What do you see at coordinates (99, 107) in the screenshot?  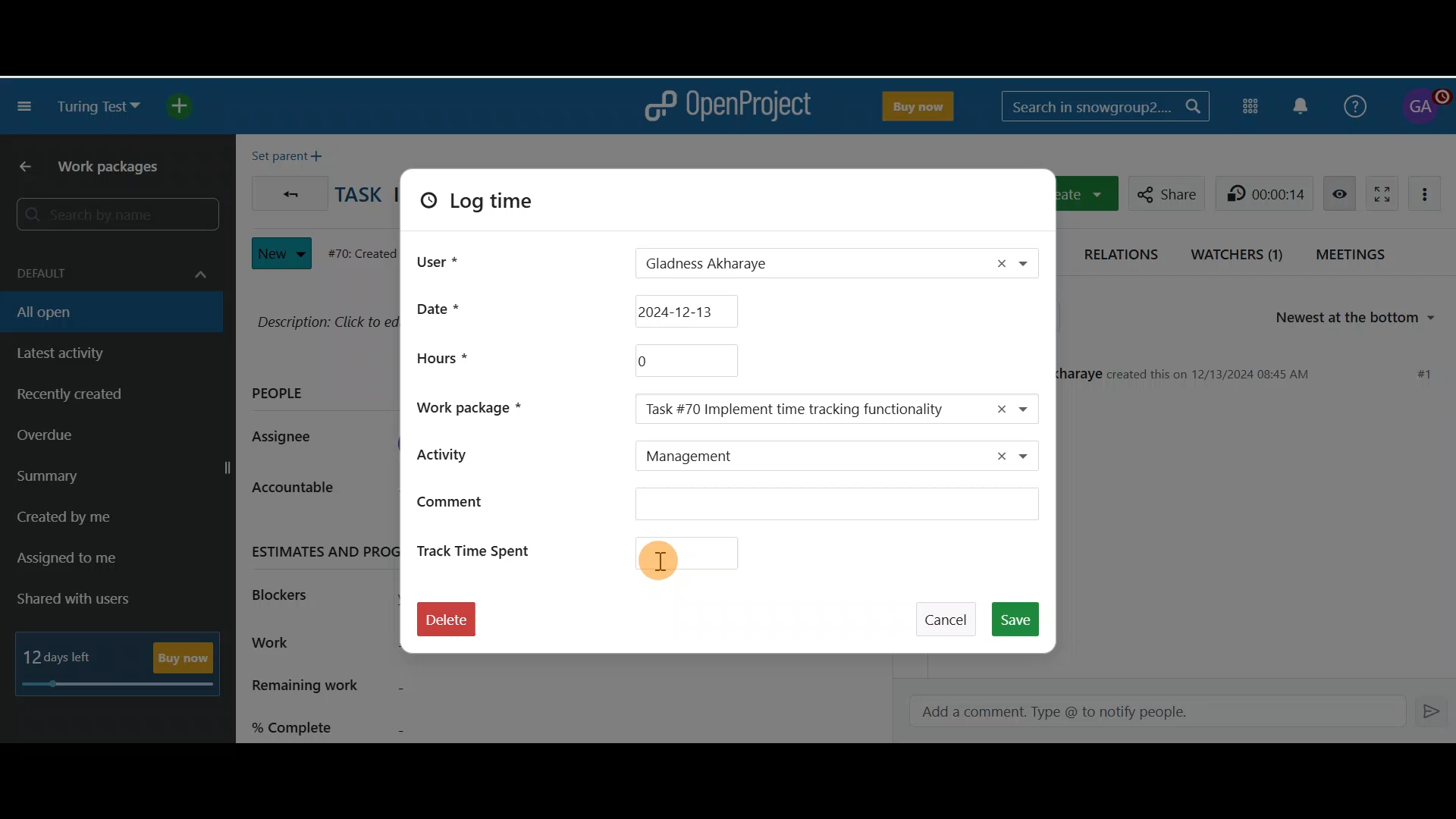 I see `Turing test` at bounding box center [99, 107].